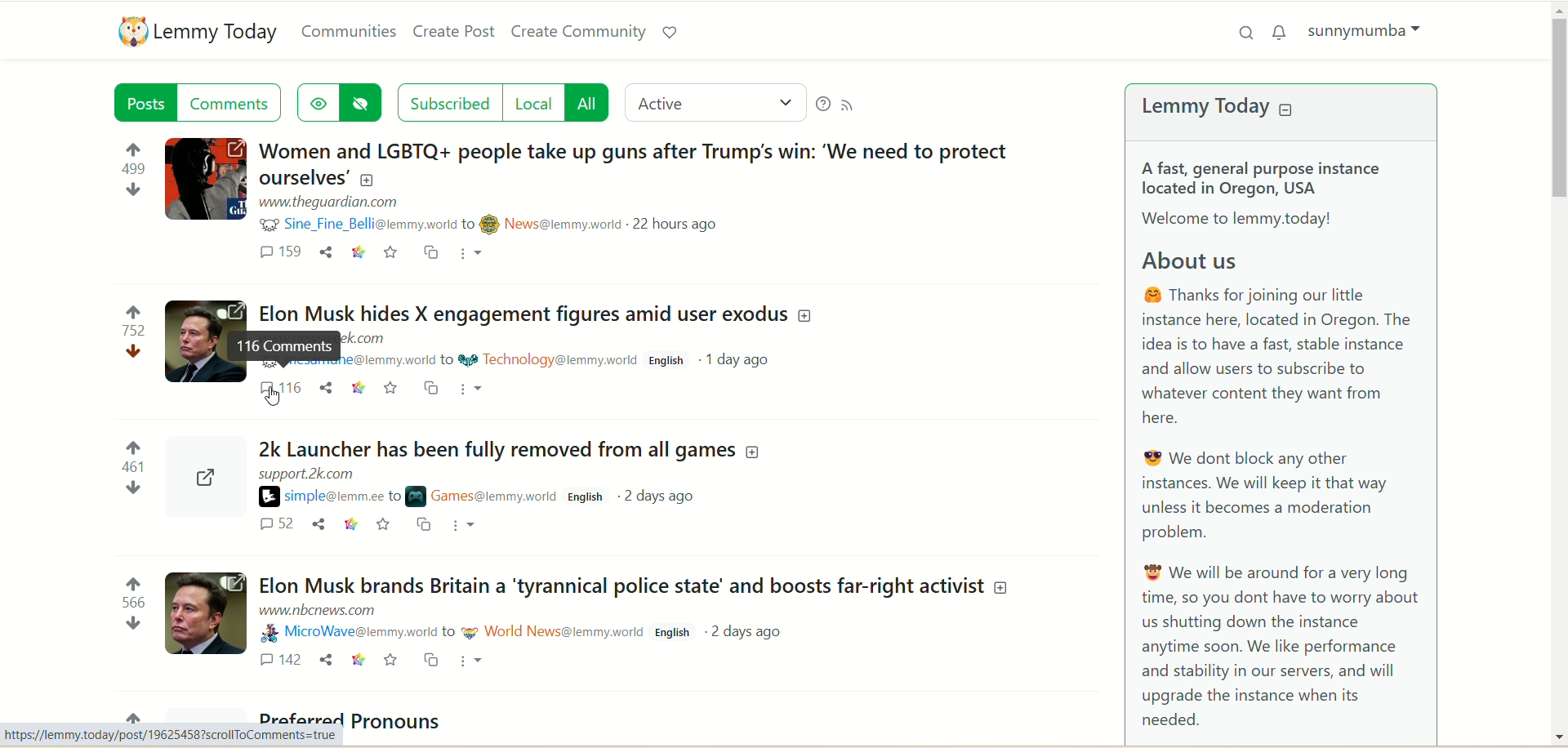 This screenshot has height=748, width=1568. What do you see at coordinates (145, 102) in the screenshot?
I see `posts` at bounding box center [145, 102].